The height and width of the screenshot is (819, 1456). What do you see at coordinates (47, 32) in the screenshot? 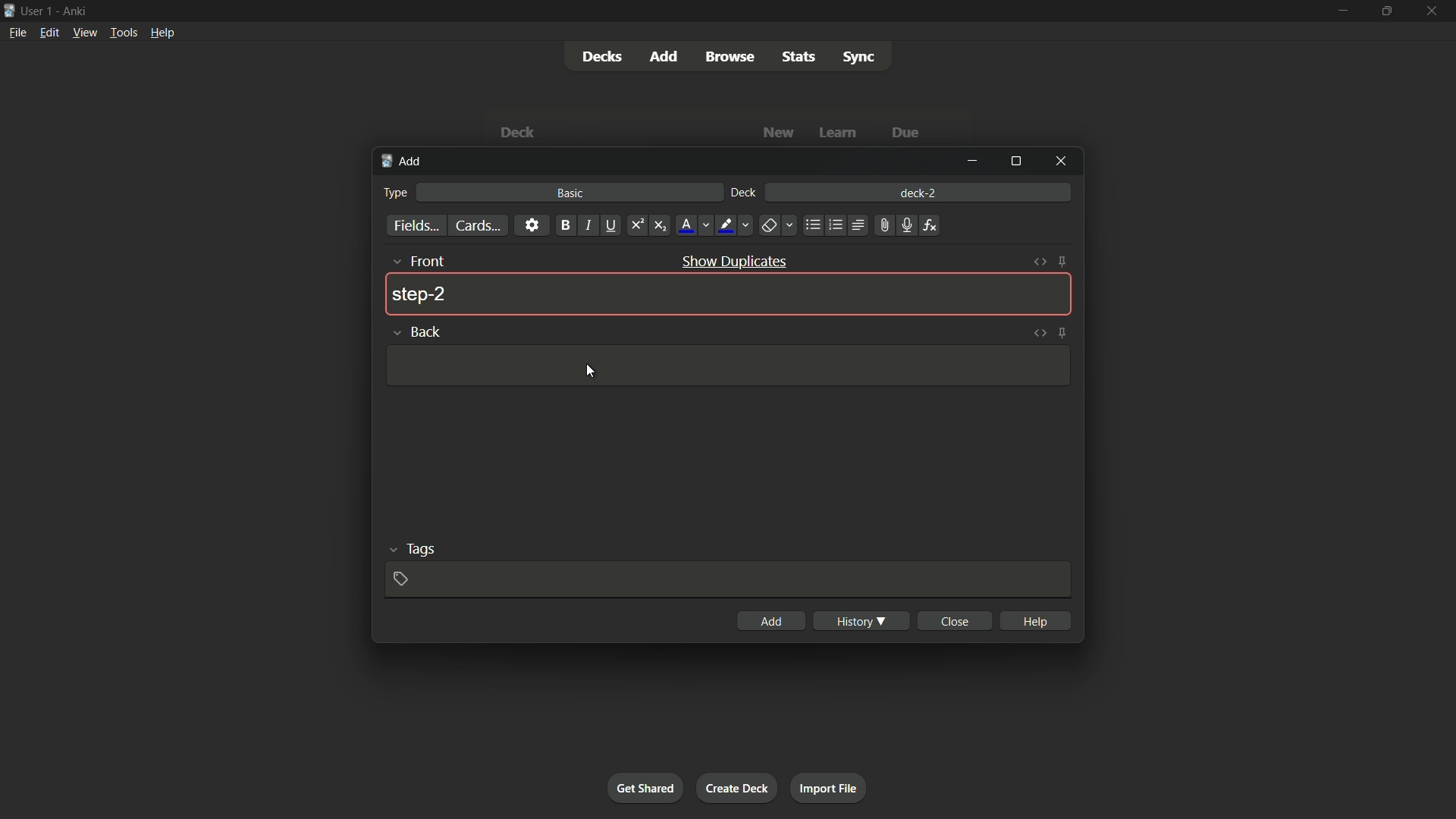
I see `edit menu` at bounding box center [47, 32].